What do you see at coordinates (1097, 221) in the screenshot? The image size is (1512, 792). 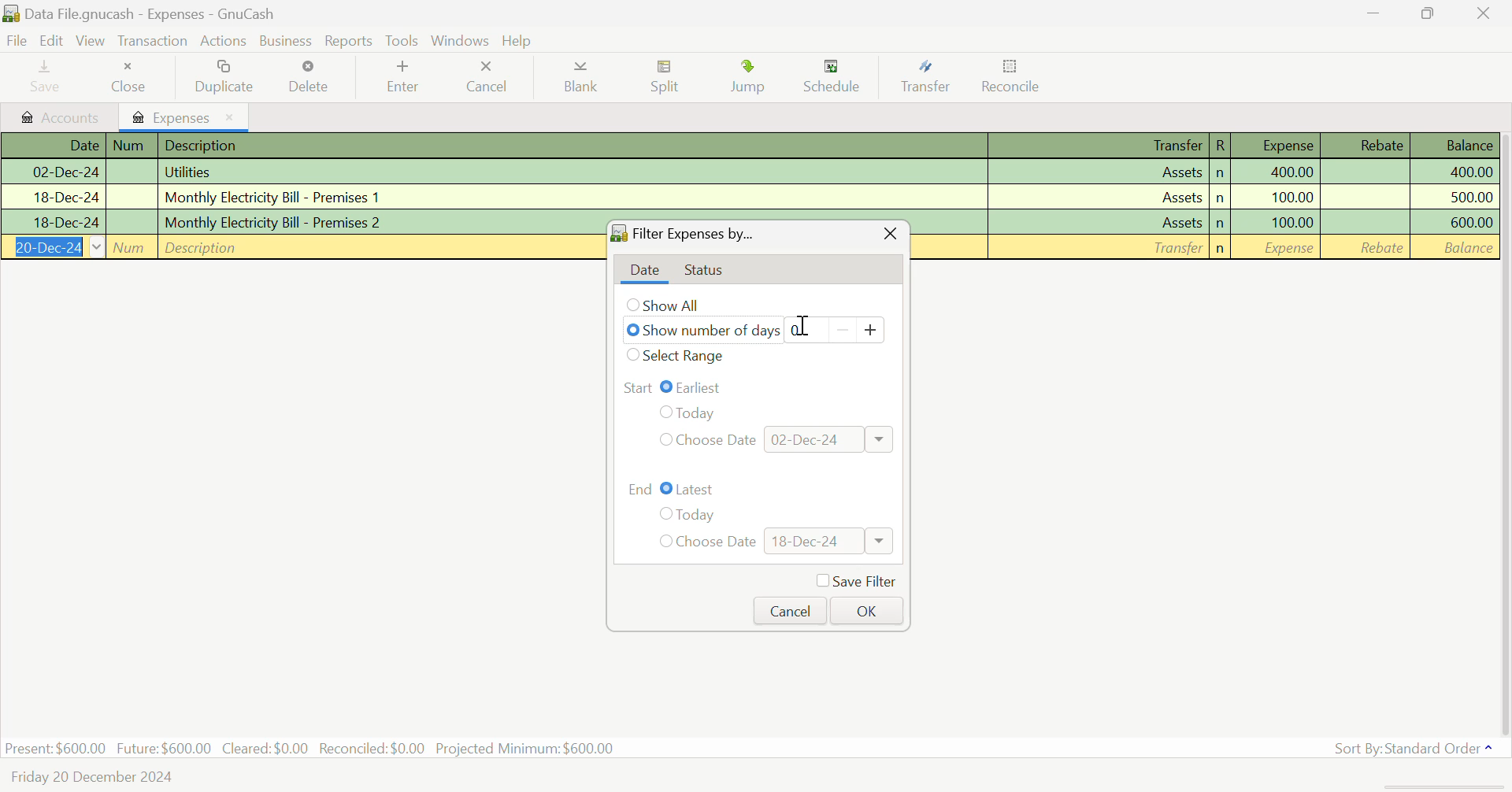 I see `Assets` at bounding box center [1097, 221].